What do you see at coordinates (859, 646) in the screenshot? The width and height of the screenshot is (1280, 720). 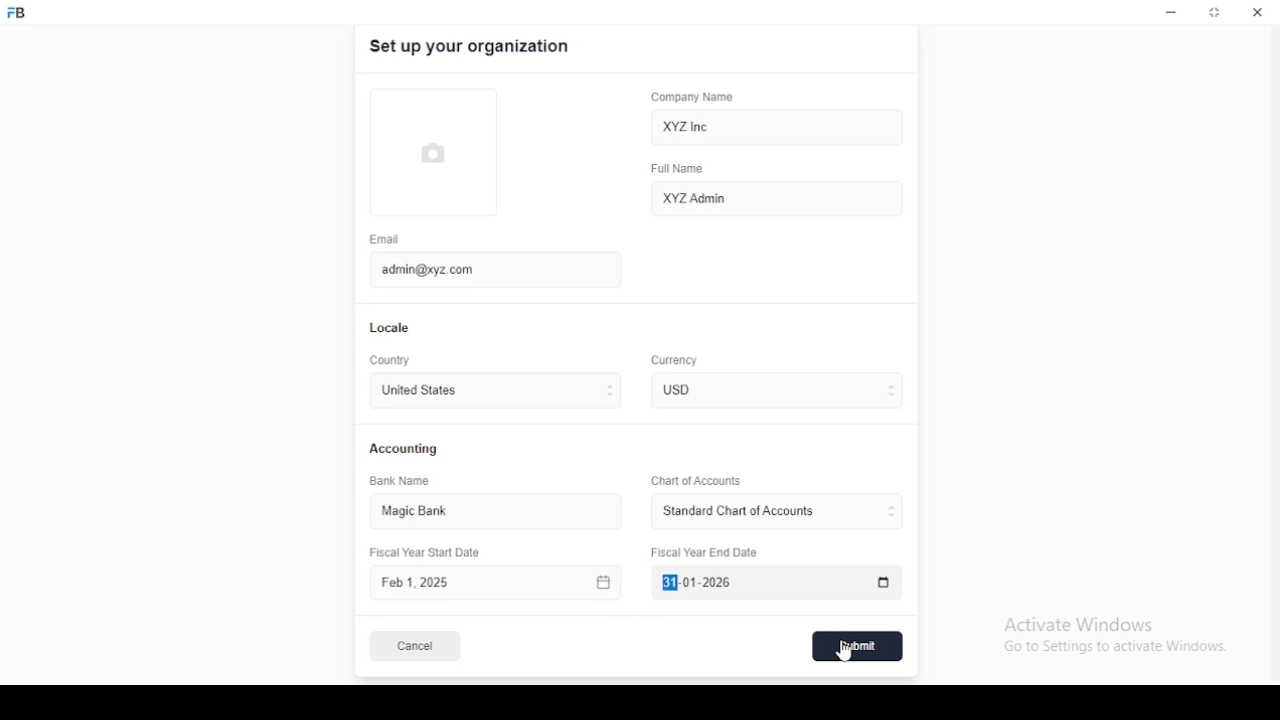 I see `submit` at bounding box center [859, 646].